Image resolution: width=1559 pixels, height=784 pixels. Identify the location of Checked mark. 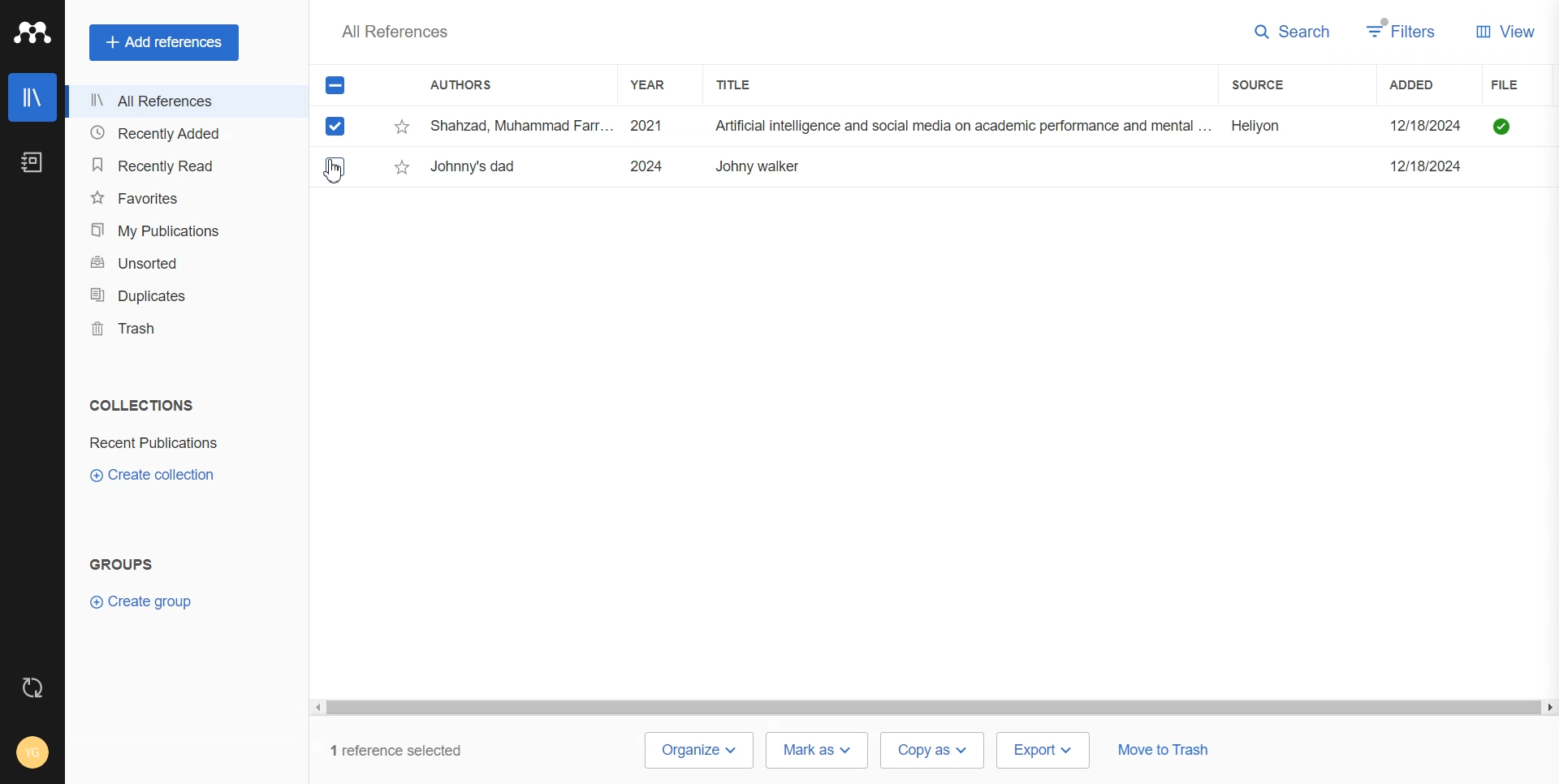
(336, 126).